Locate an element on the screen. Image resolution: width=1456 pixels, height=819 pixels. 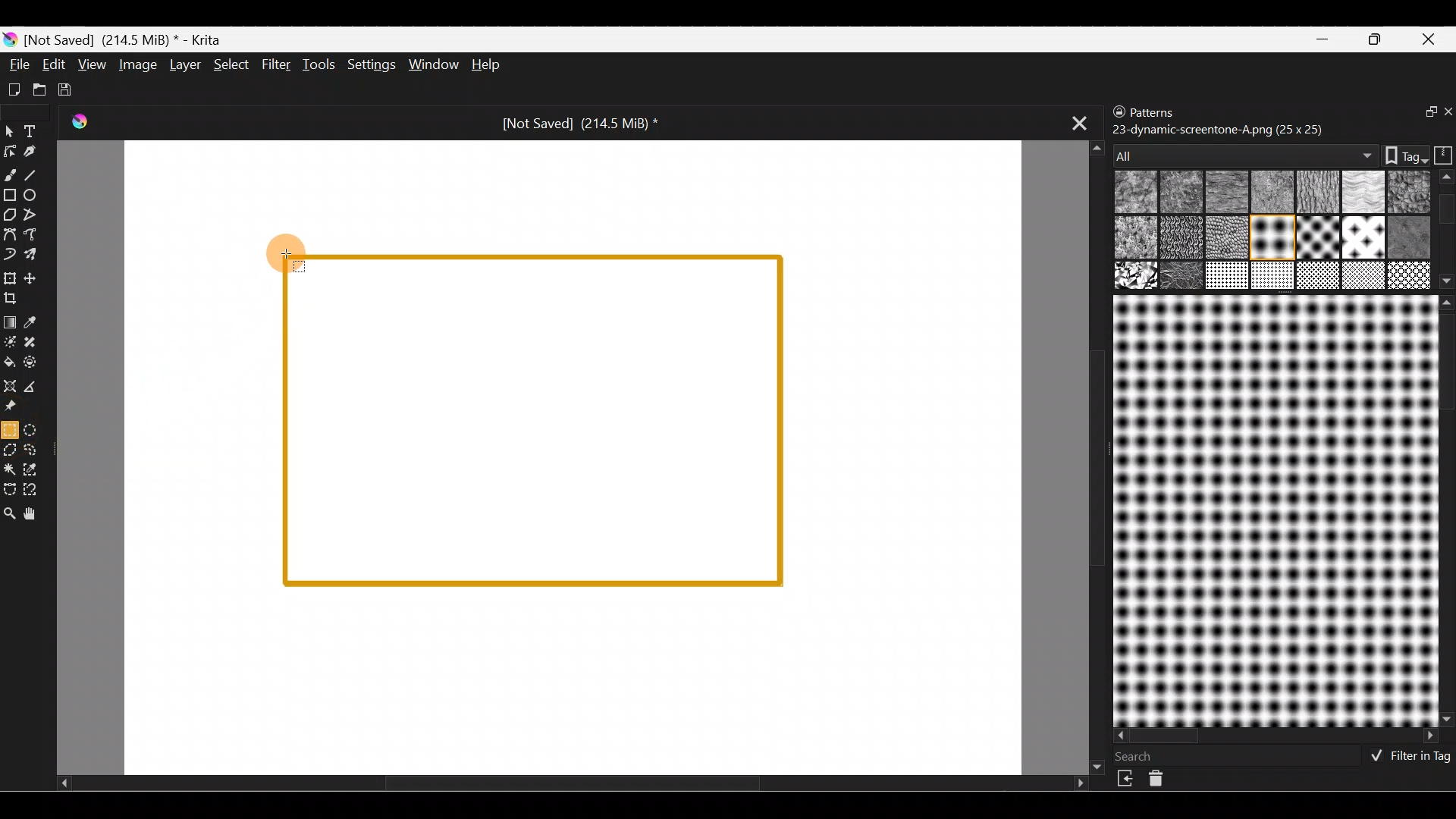
02b Wooftissue.png is located at coordinates (1223, 193).